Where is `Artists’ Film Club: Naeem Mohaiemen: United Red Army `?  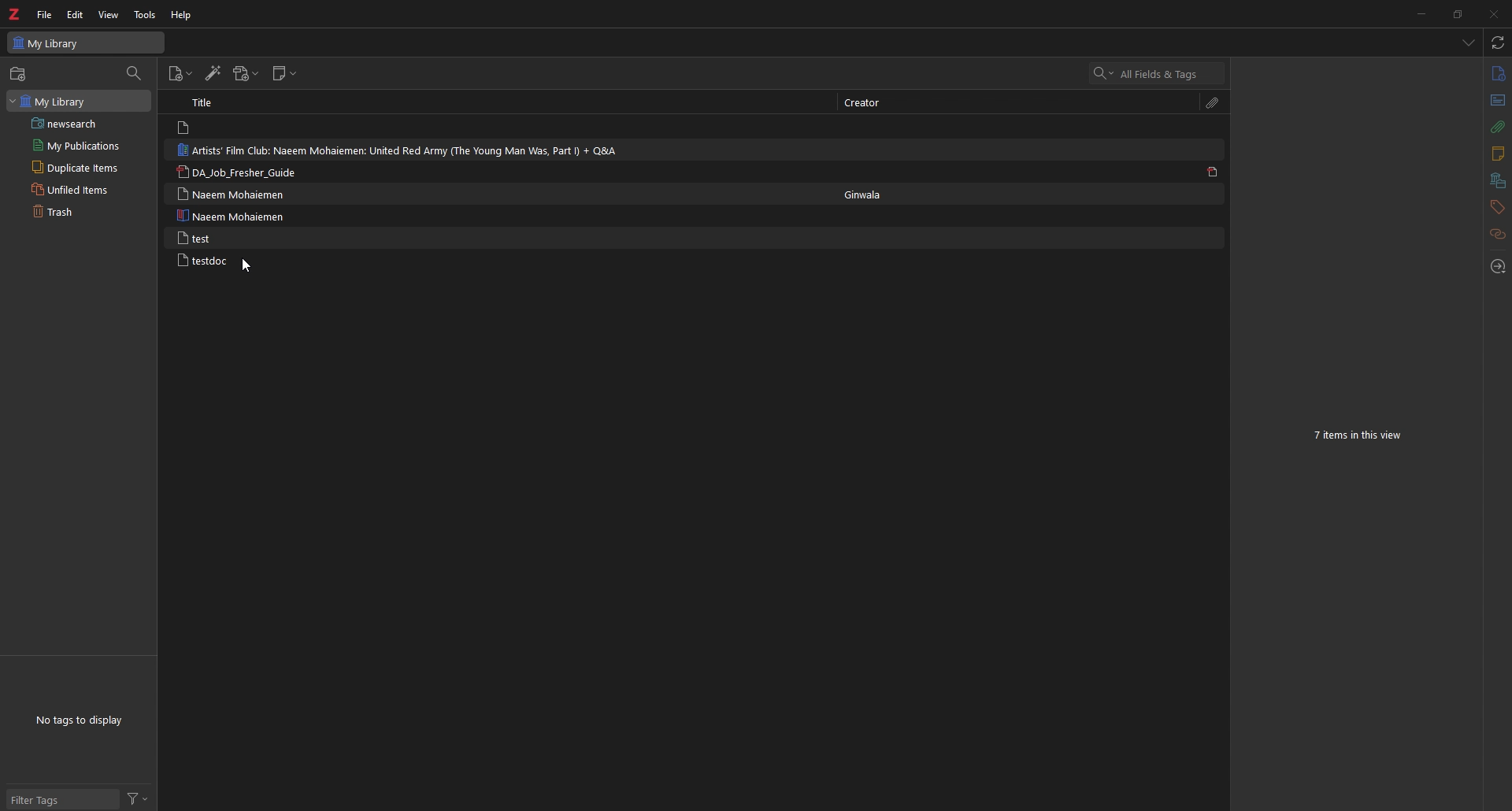
Artists’ Film Club: Naeem Mohaiemen: United Red Army  is located at coordinates (398, 150).